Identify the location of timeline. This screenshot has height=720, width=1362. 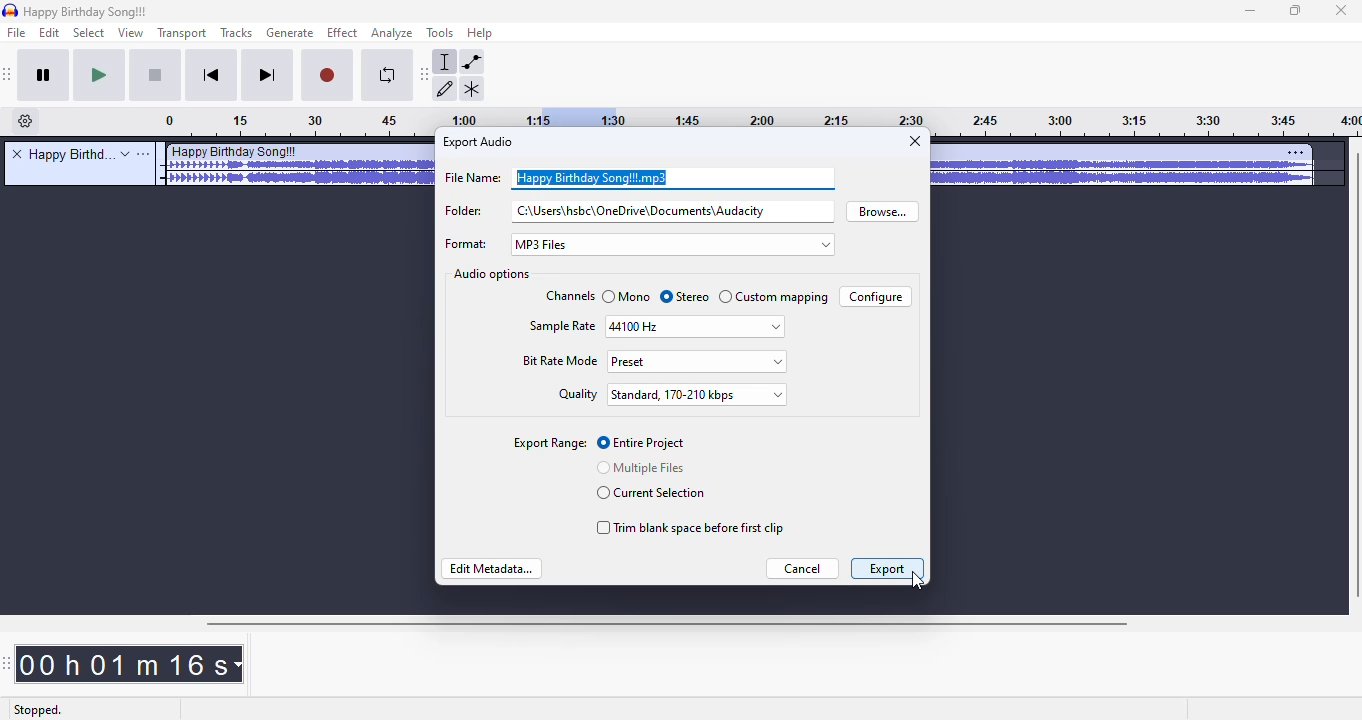
(487, 117).